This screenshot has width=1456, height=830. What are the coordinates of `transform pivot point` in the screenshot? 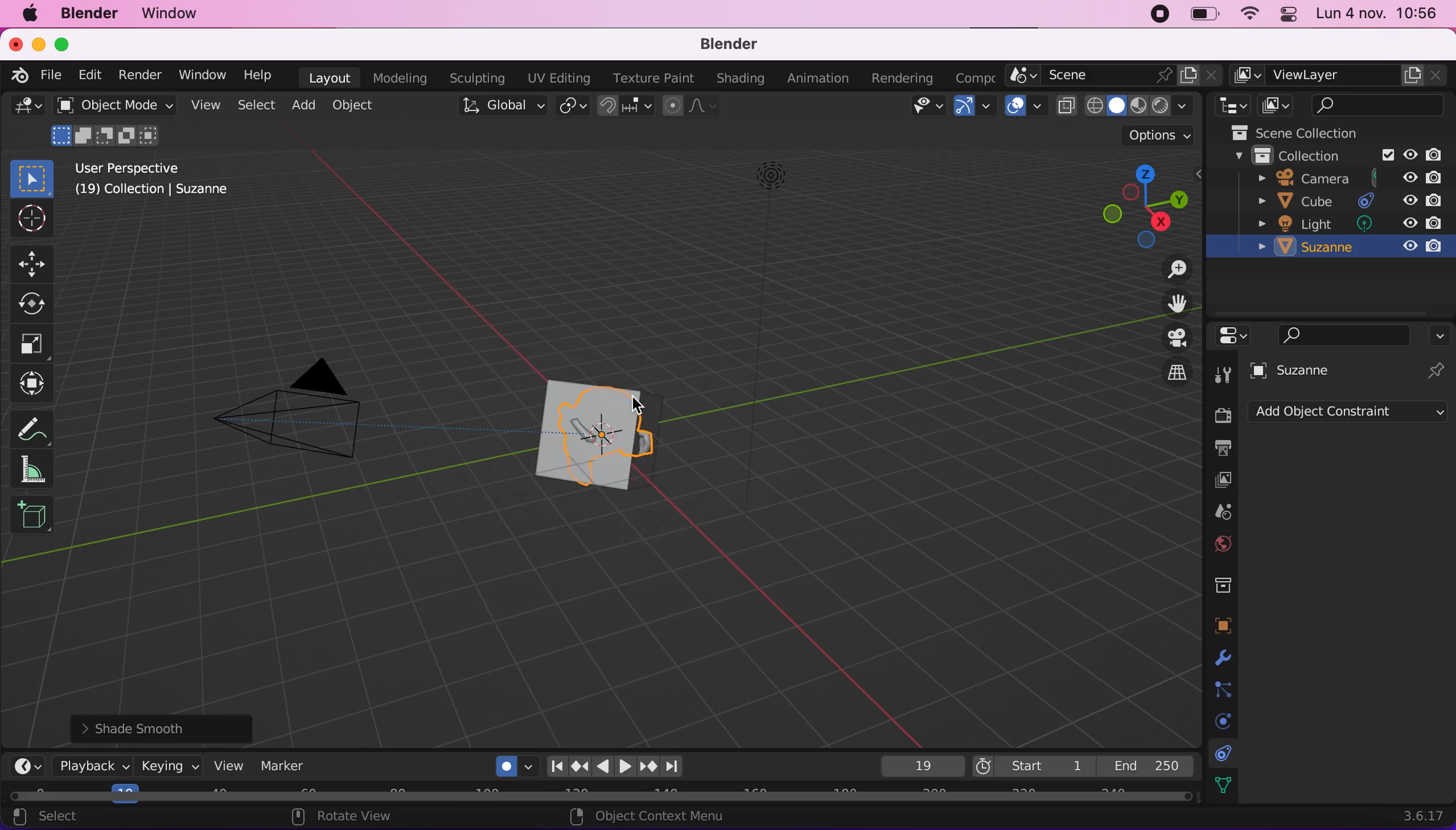 It's located at (570, 105).